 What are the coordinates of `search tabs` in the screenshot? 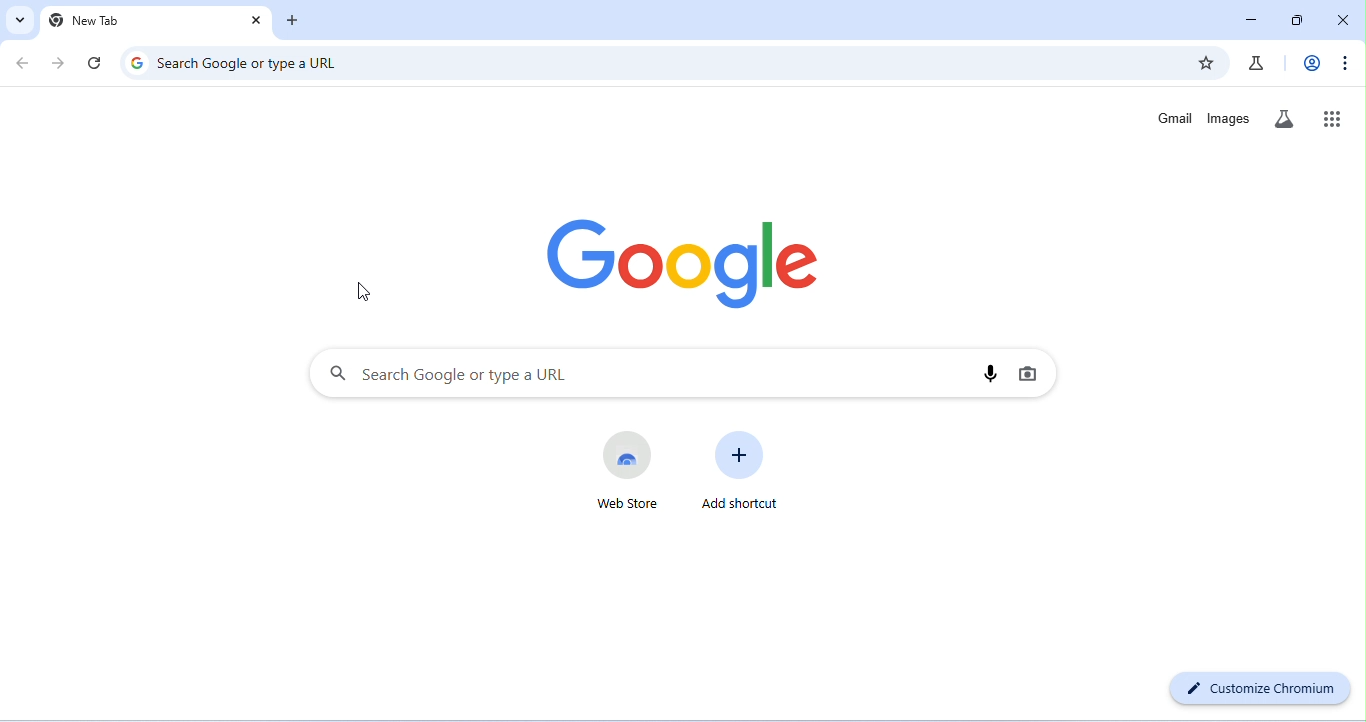 It's located at (19, 19).